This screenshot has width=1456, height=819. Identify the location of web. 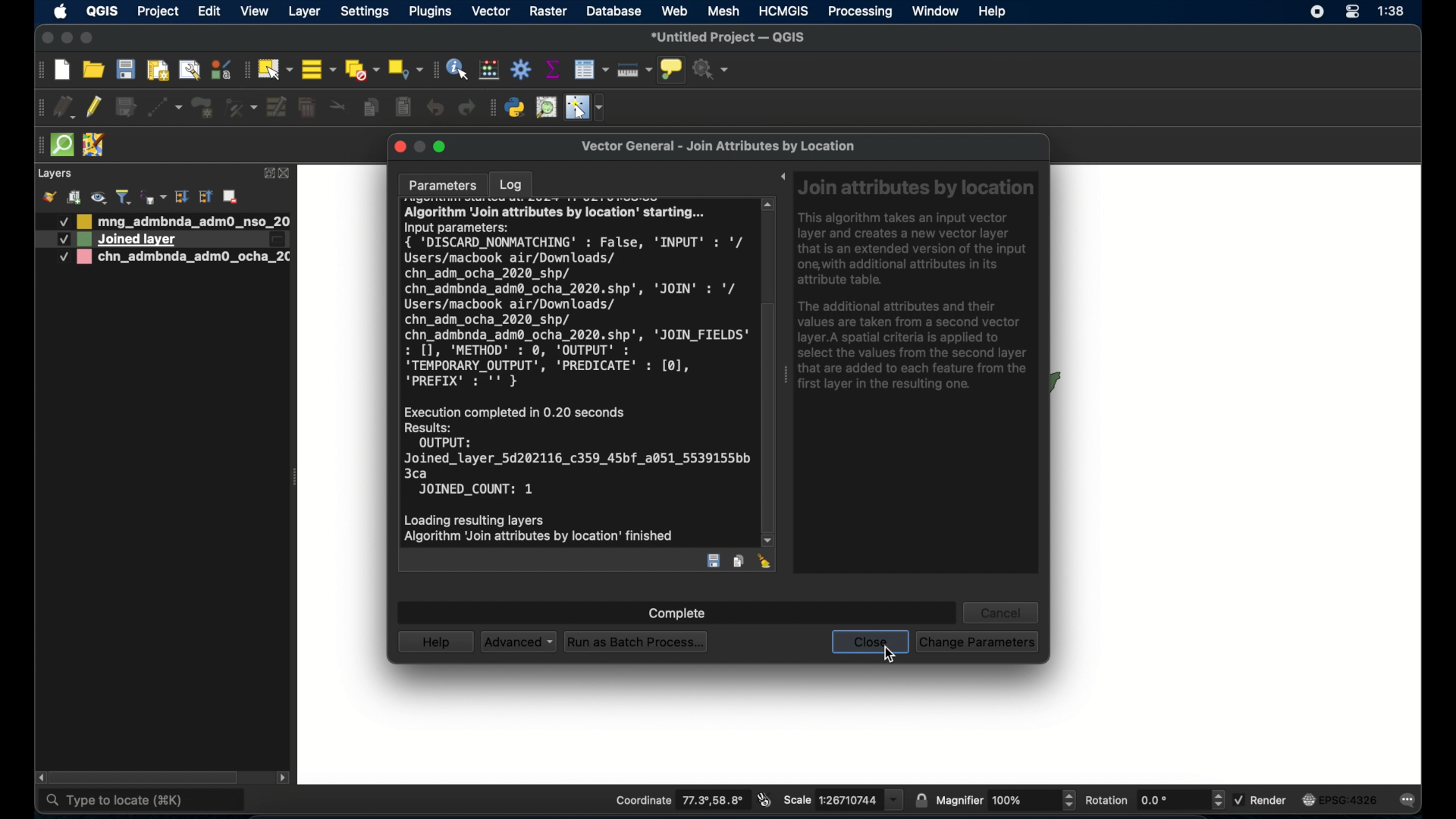
(675, 11).